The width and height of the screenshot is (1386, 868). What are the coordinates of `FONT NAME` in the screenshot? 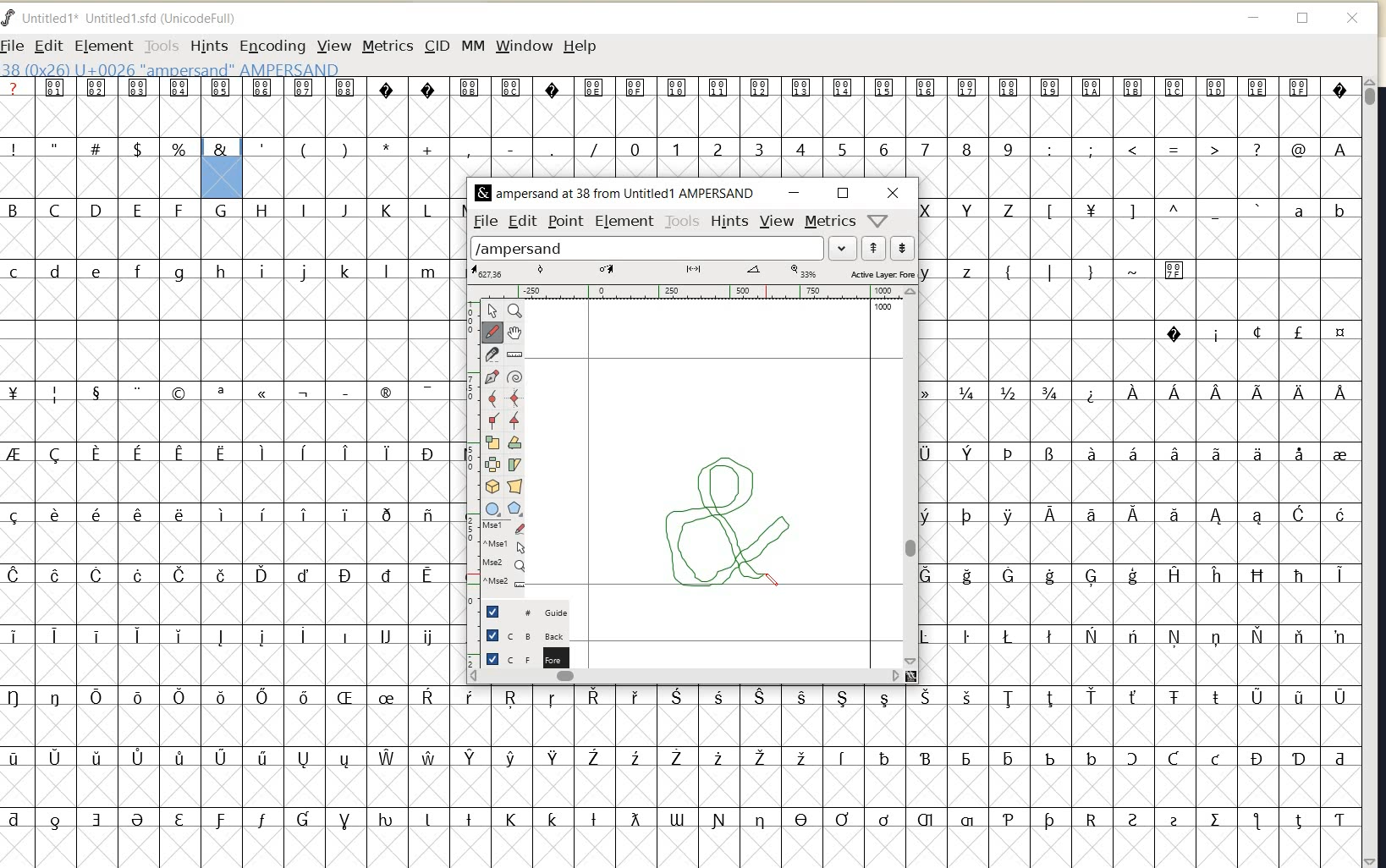 It's located at (614, 194).